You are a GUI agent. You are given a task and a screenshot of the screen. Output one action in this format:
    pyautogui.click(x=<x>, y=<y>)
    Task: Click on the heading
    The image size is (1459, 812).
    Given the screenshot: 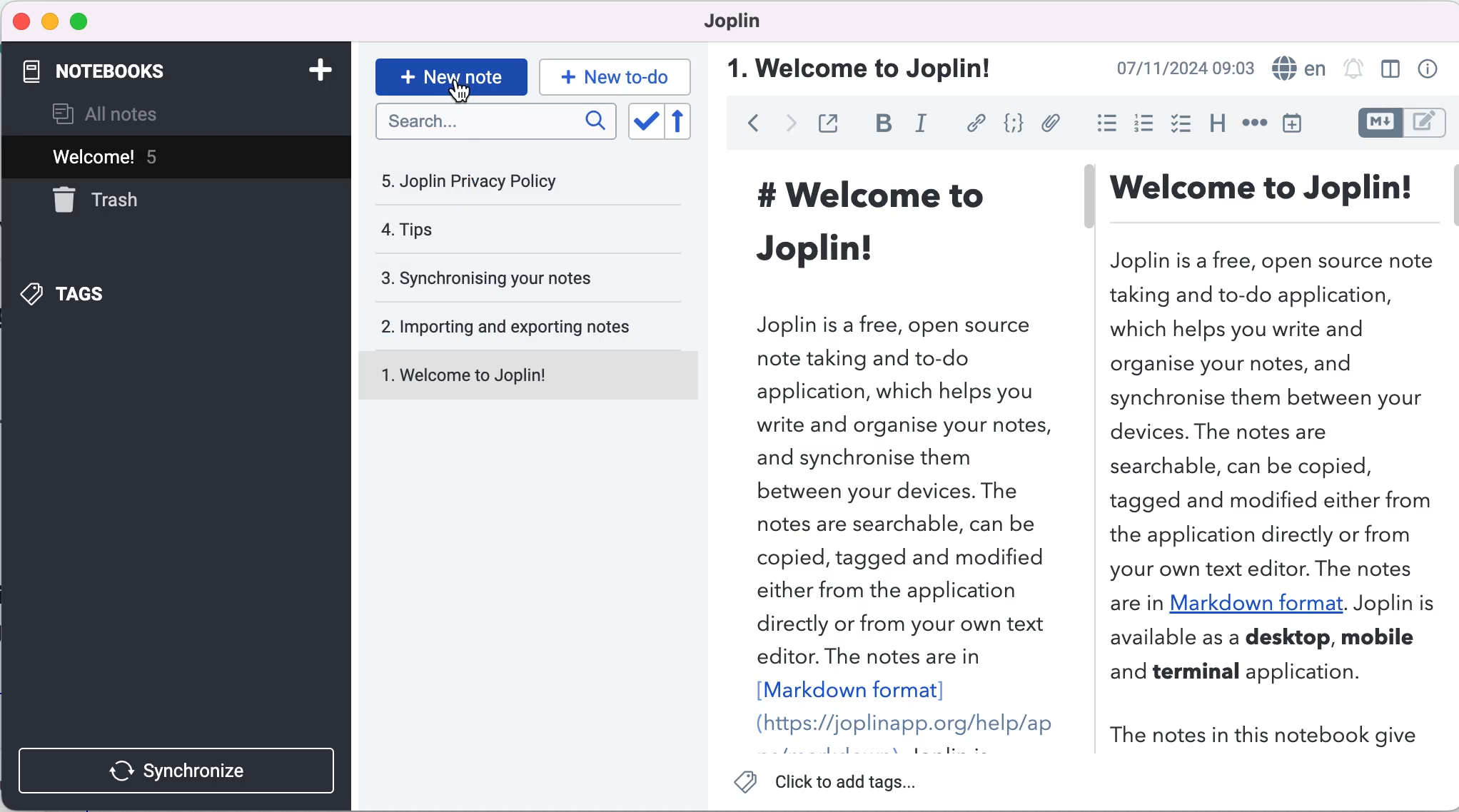 What is the action you would take?
    pyautogui.click(x=1216, y=123)
    